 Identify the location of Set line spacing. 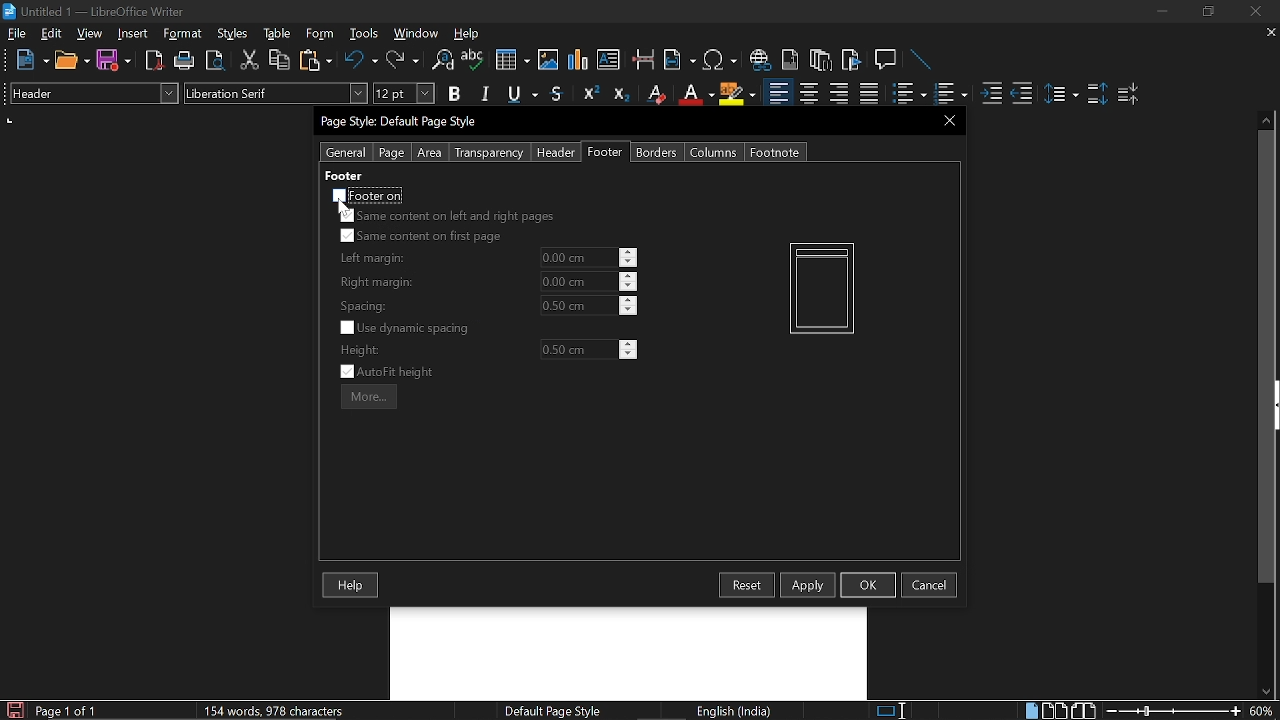
(1060, 94).